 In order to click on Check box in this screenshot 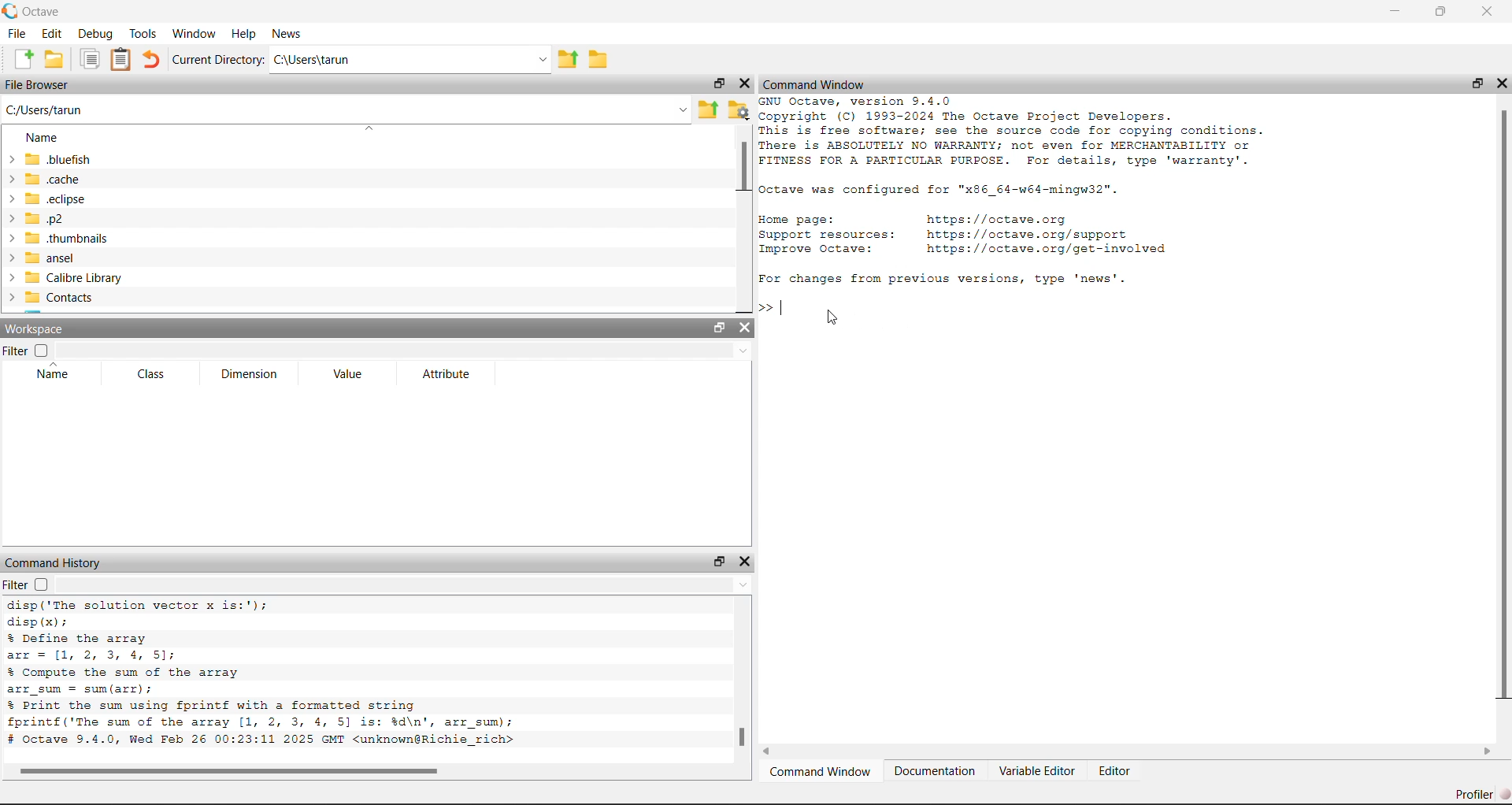, I will do `click(41, 351)`.